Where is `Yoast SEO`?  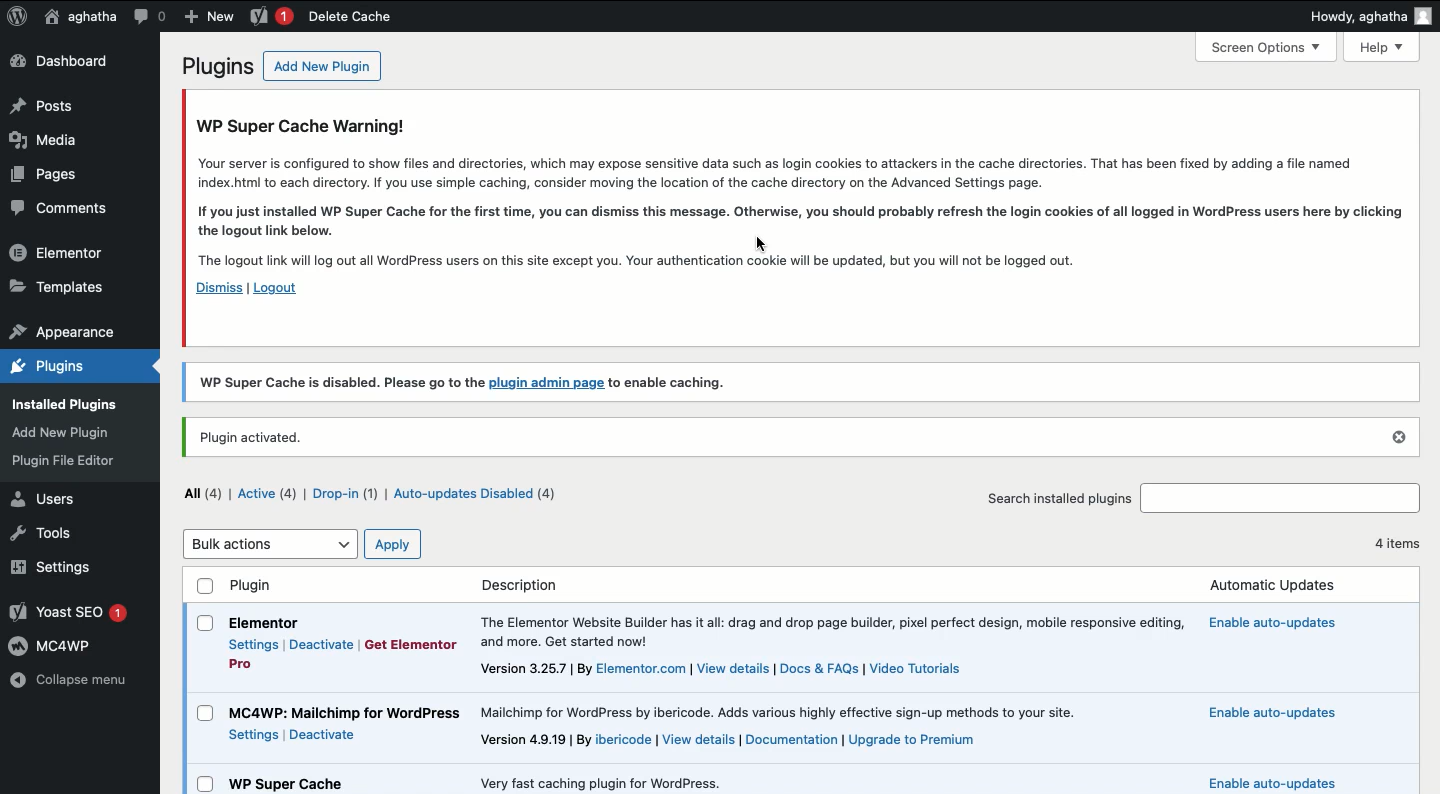 Yoast SEO is located at coordinates (71, 610).